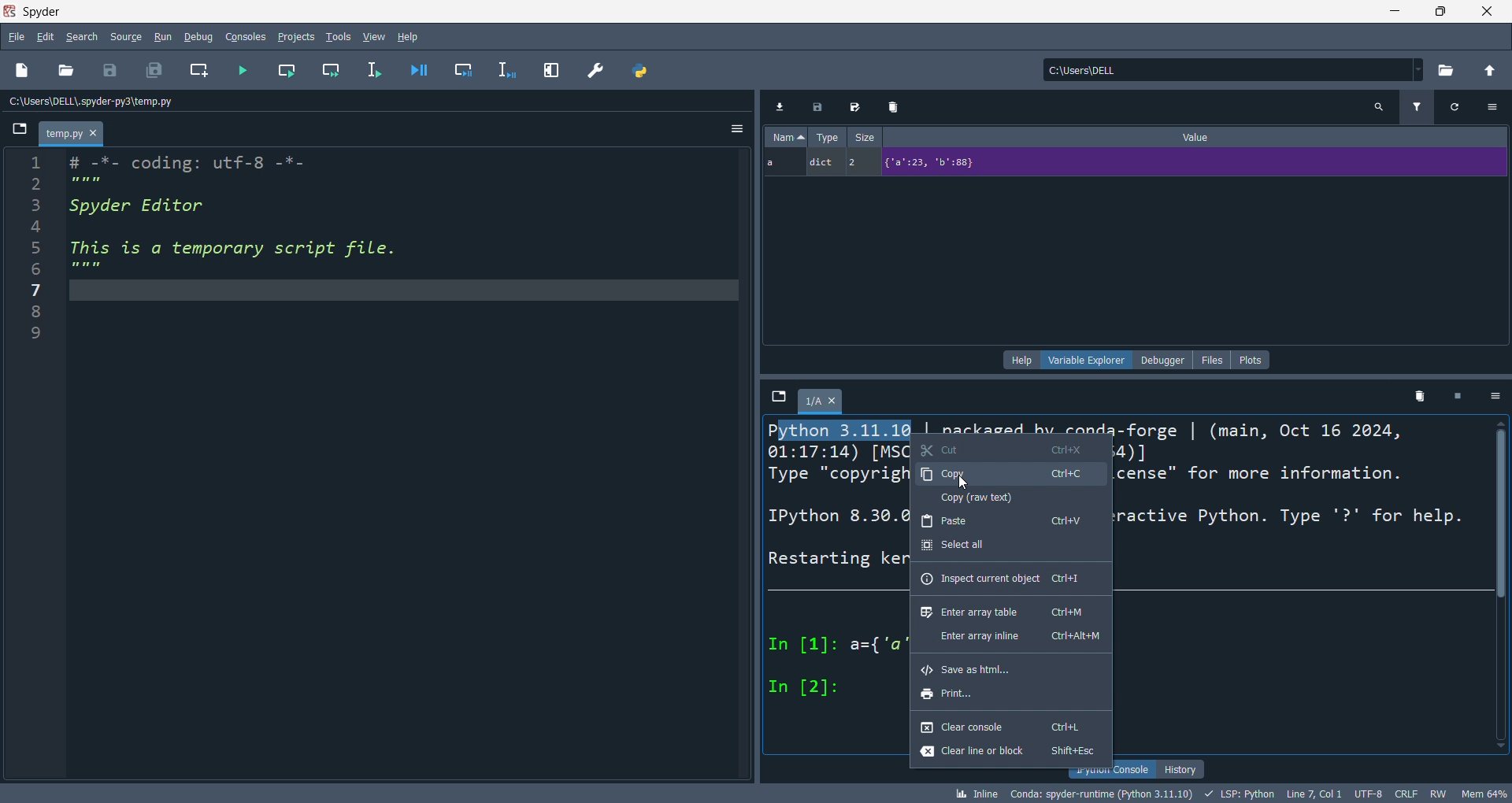 Image resolution: width=1512 pixels, height=803 pixels. Describe the element at coordinates (1002, 546) in the screenshot. I see `select all` at that location.